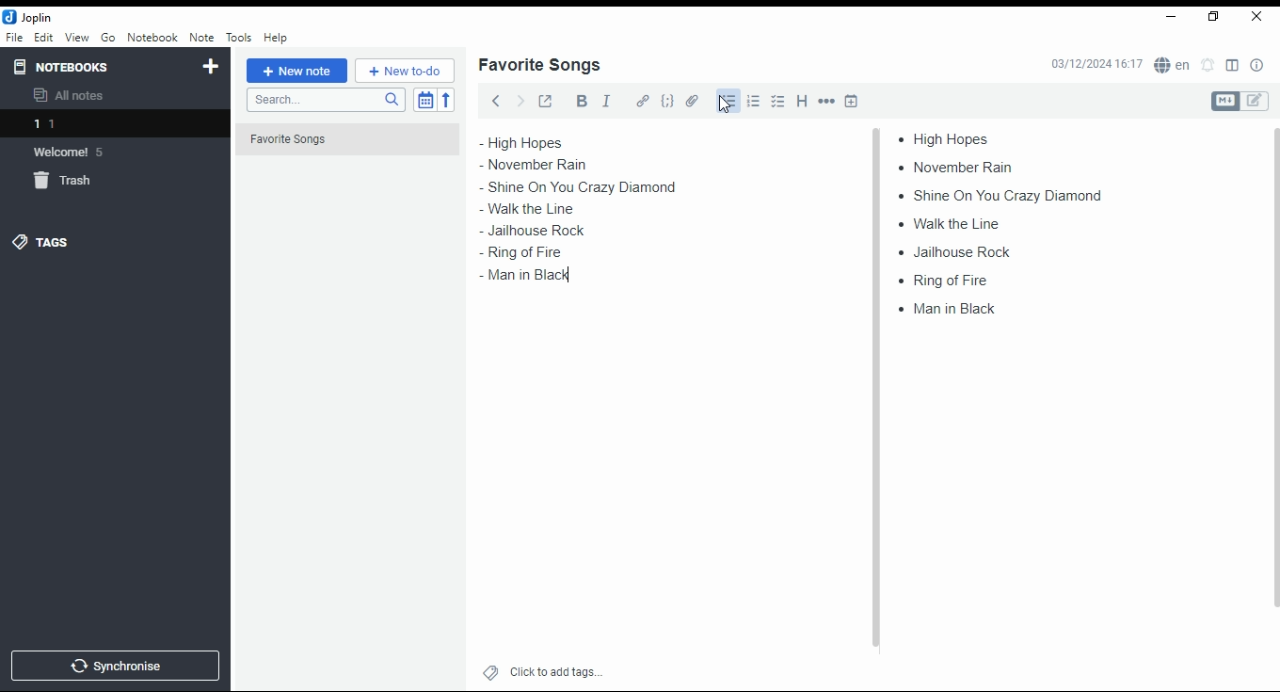 Image resolution: width=1280 pixels, height=692 pixels. Describe the element at coordinates (275, 38) in the screenshot. I see `help` at that location.